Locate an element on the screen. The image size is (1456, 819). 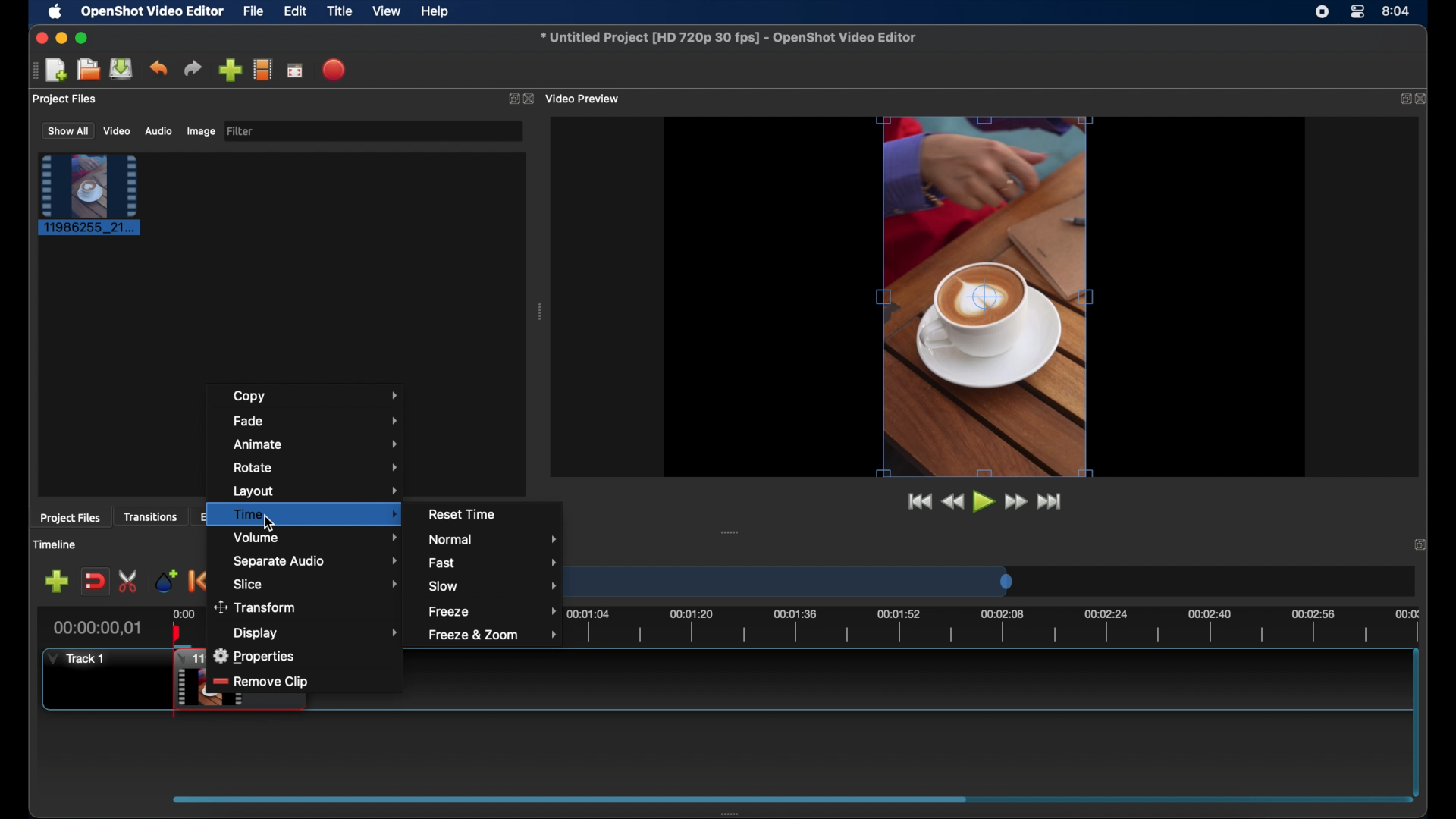
video preview is located at coordinates (986, 297).